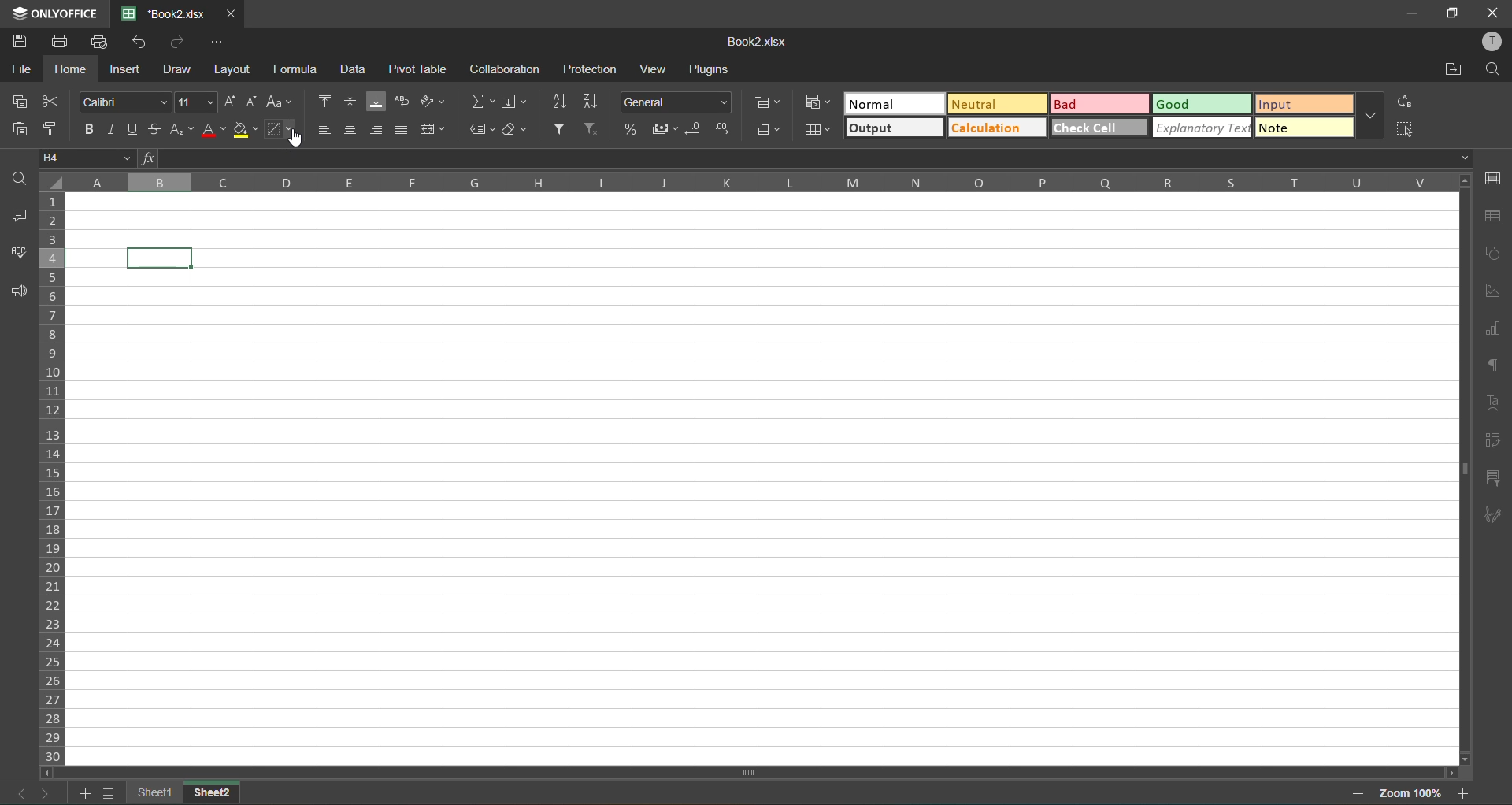 Image resolution: width=1512 pixels, height=805 pixels. I want to click on conditional formatting, so click(821, 104).